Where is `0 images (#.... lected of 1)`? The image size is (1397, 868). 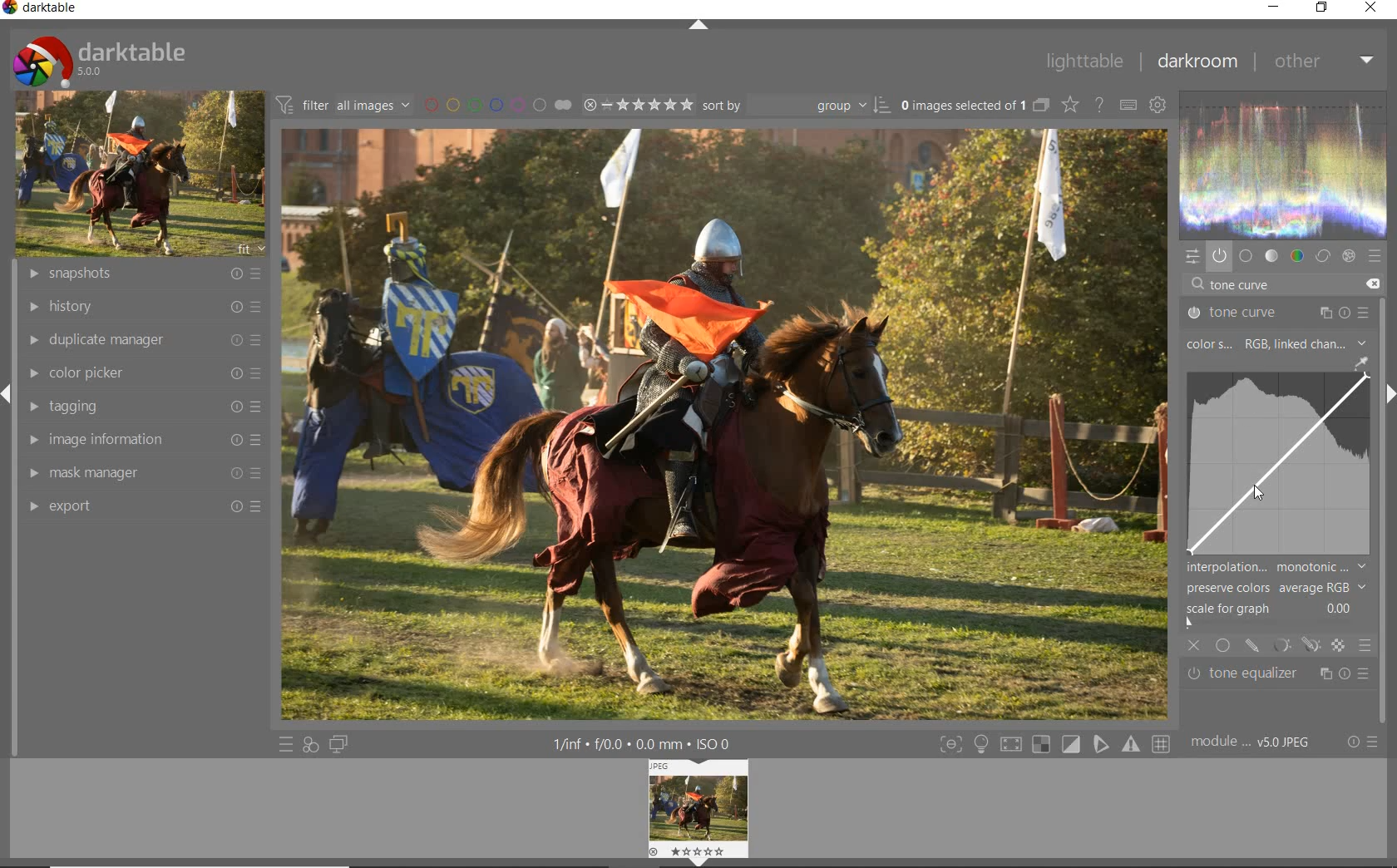
0 images (#.... lected of 1) is located at coordinates (973, 105).